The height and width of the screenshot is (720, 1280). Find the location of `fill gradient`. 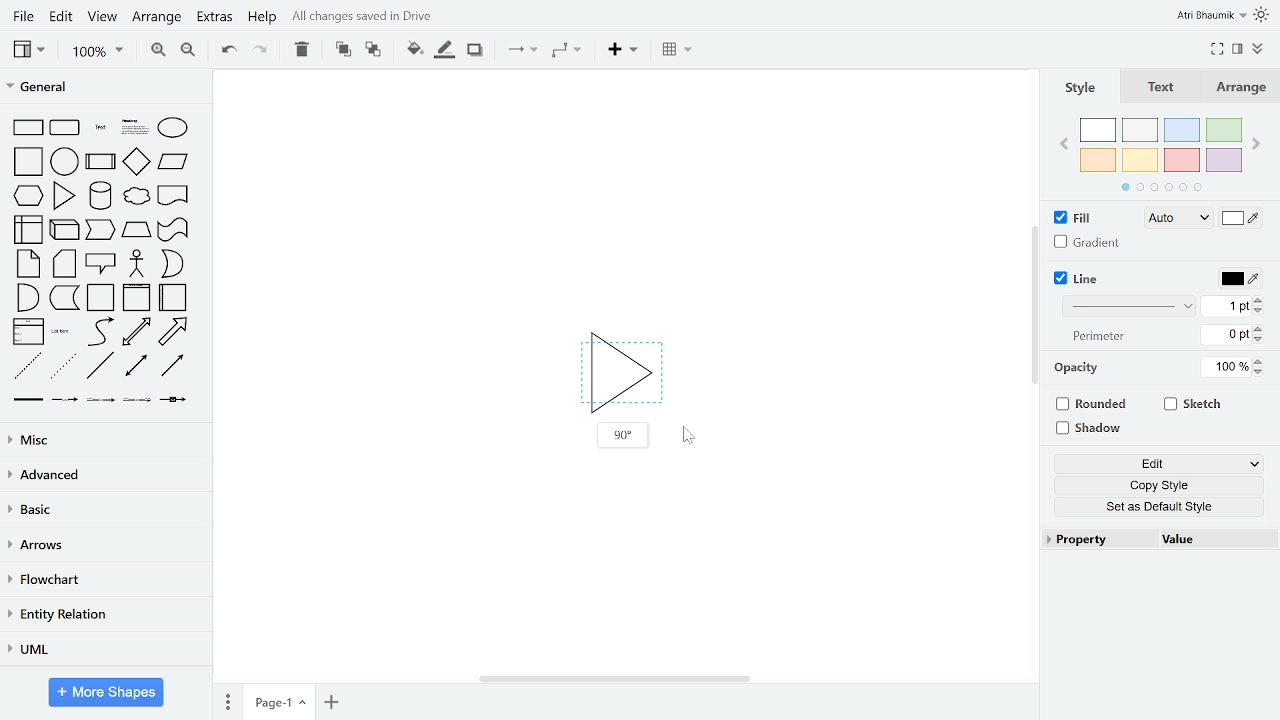

fill gradient is located at coordinates (1088, 243).